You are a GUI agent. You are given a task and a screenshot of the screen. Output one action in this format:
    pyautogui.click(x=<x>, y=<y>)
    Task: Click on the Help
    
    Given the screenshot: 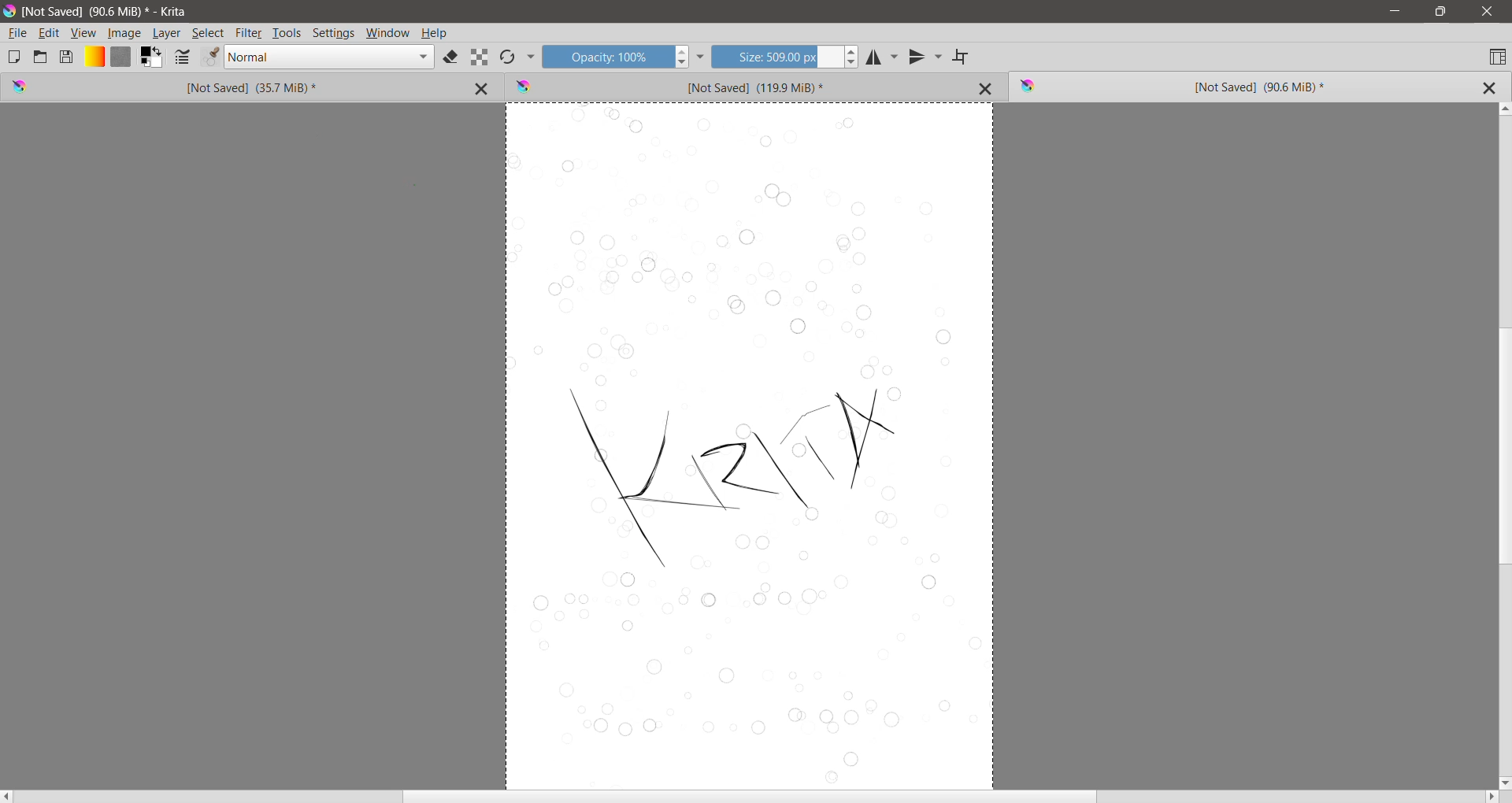 What is the action you would take?
    pyautogui.click(x=434, y=34)
    